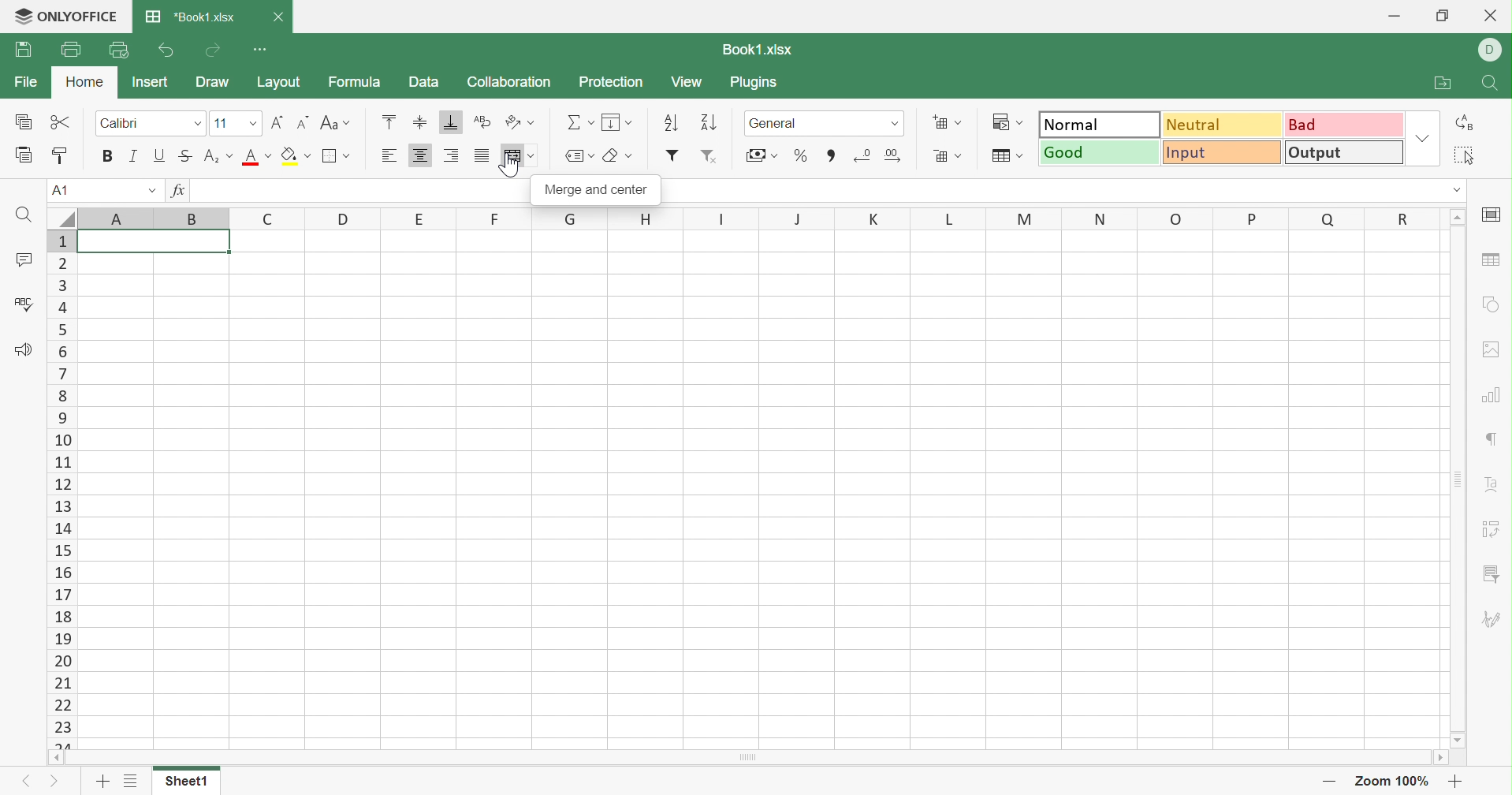 The height and width of the screenshot is (795, 1512). What do you see at coordinates (764, 156) in the screenshot?
I see `Accounting style` at bounding box center [764, 156].